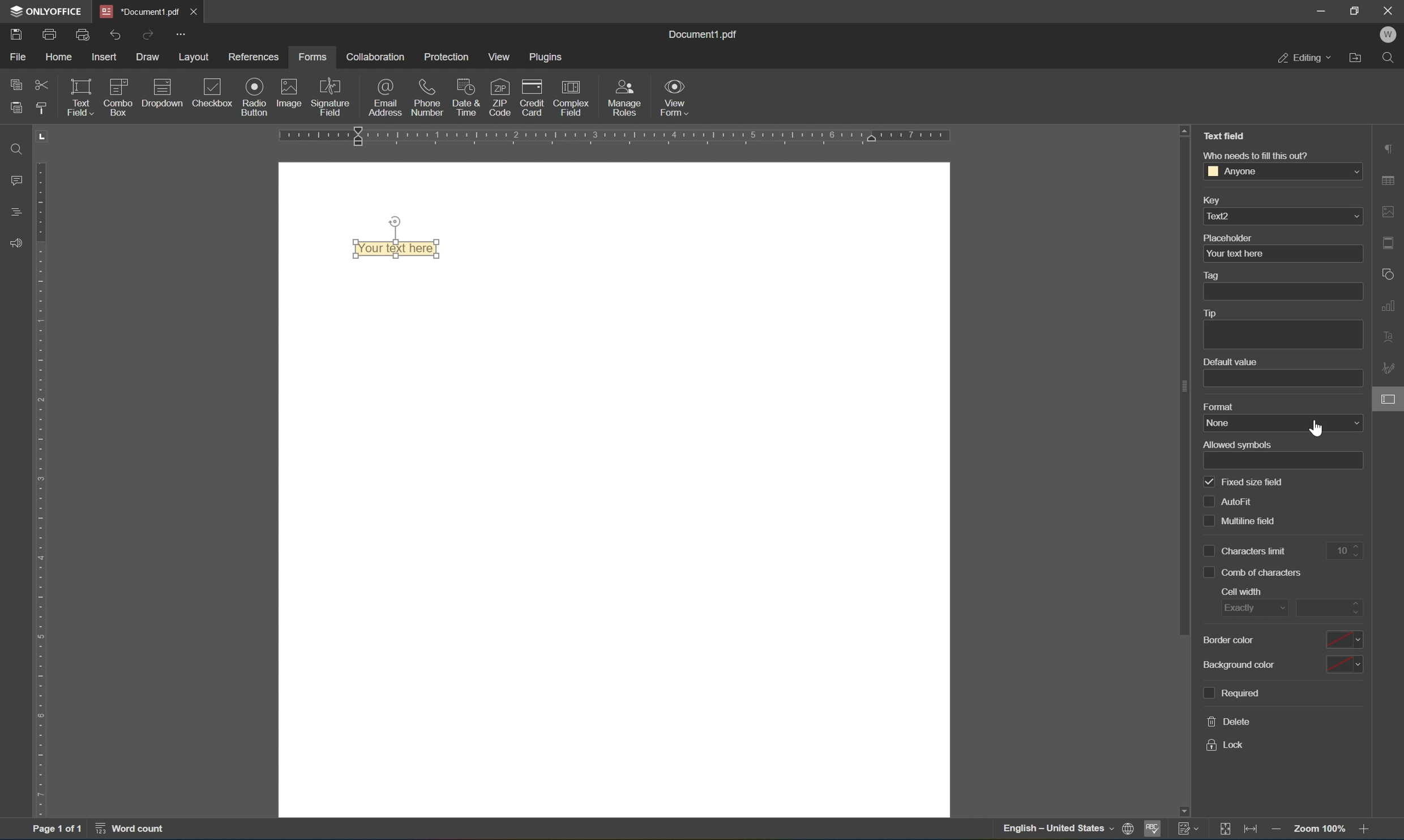 This screenshot has height=840, width=1404. Describe the element at coordinates (1386, 273) in the screenshot. I see `shape settings` at that location.